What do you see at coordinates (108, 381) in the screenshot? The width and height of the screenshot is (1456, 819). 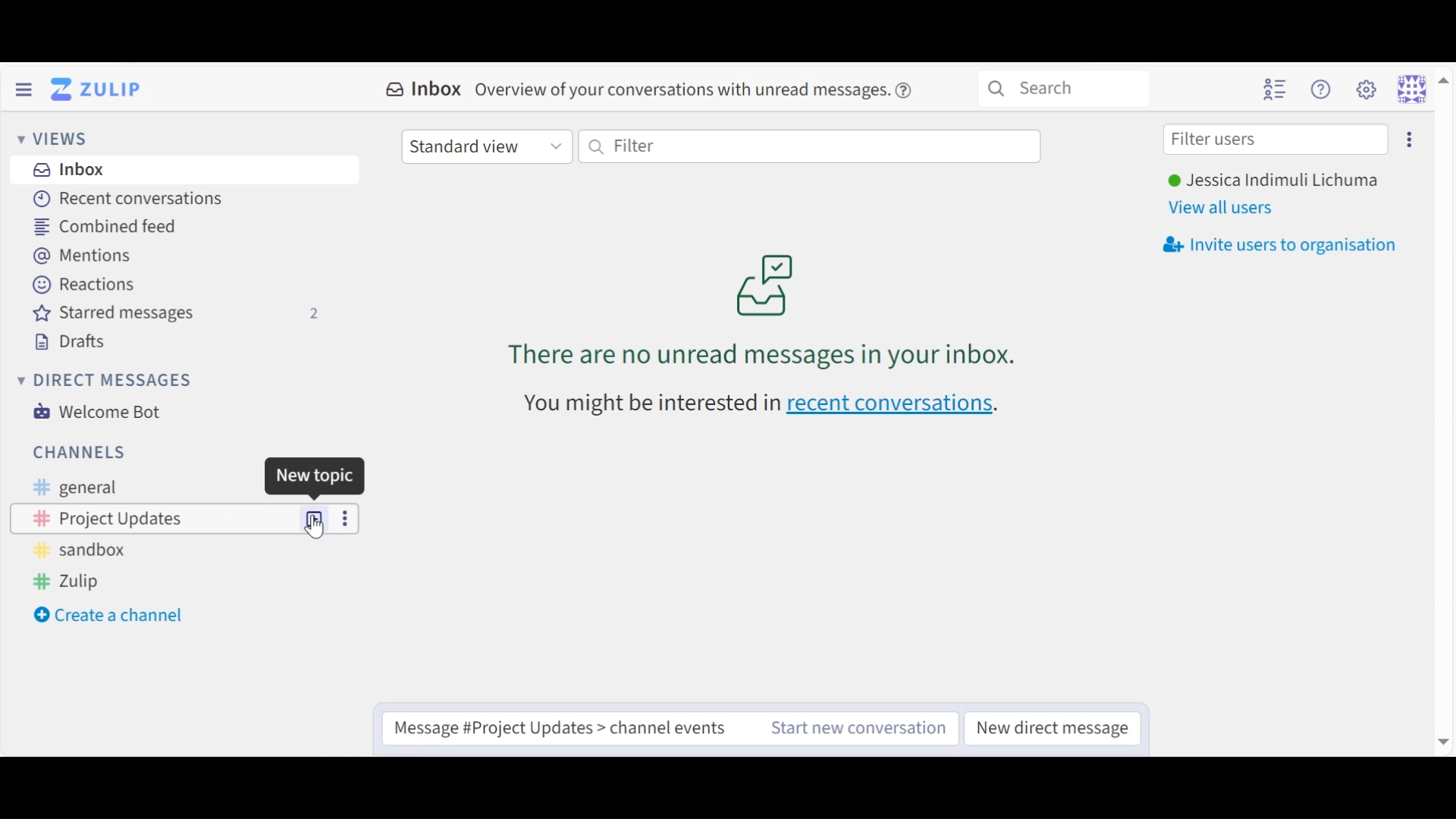 I see `Direct Messages` at bounding box center [108, 381].